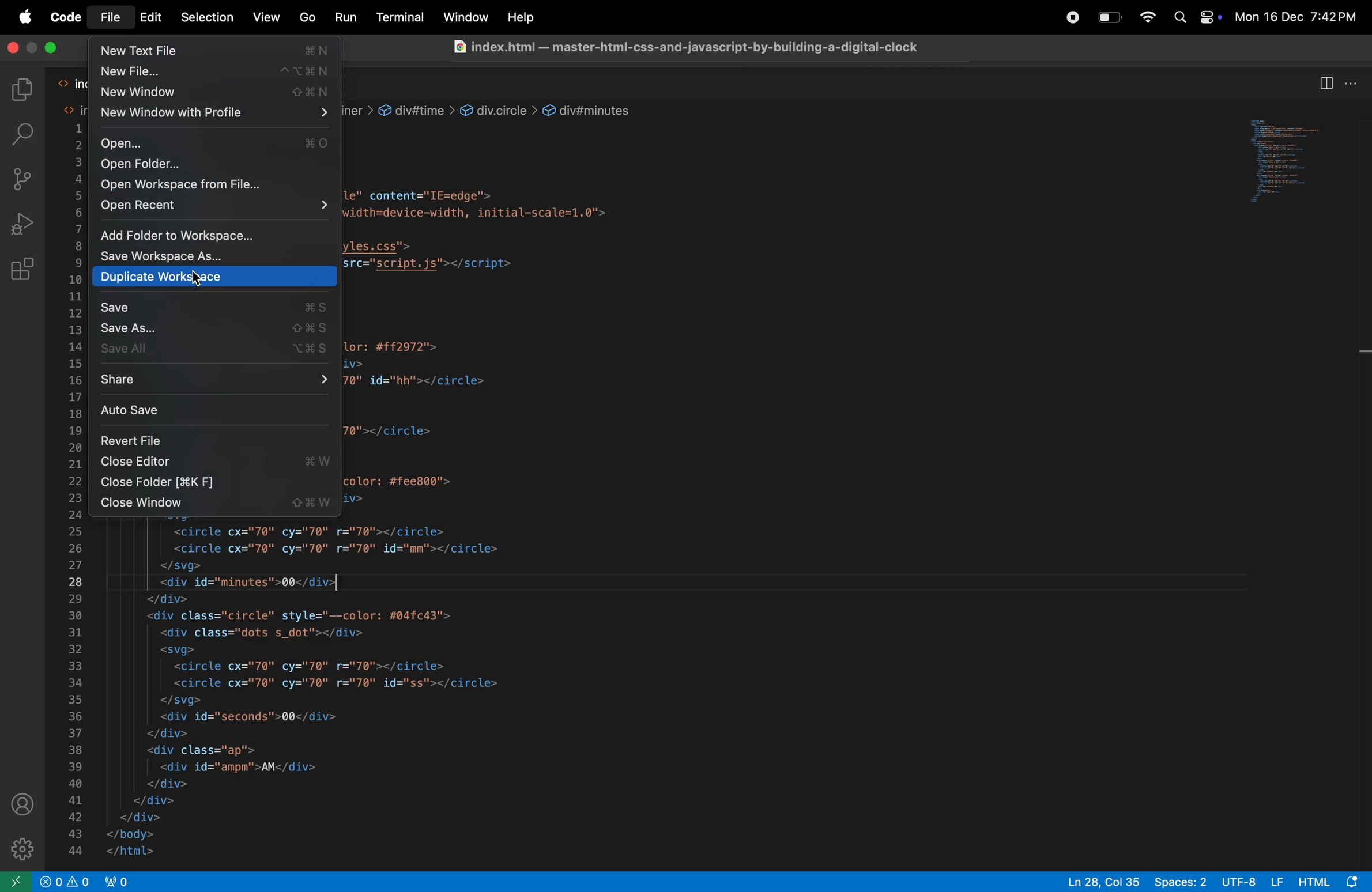  I want to click on UTF 8 LF, so click(1250, 880).